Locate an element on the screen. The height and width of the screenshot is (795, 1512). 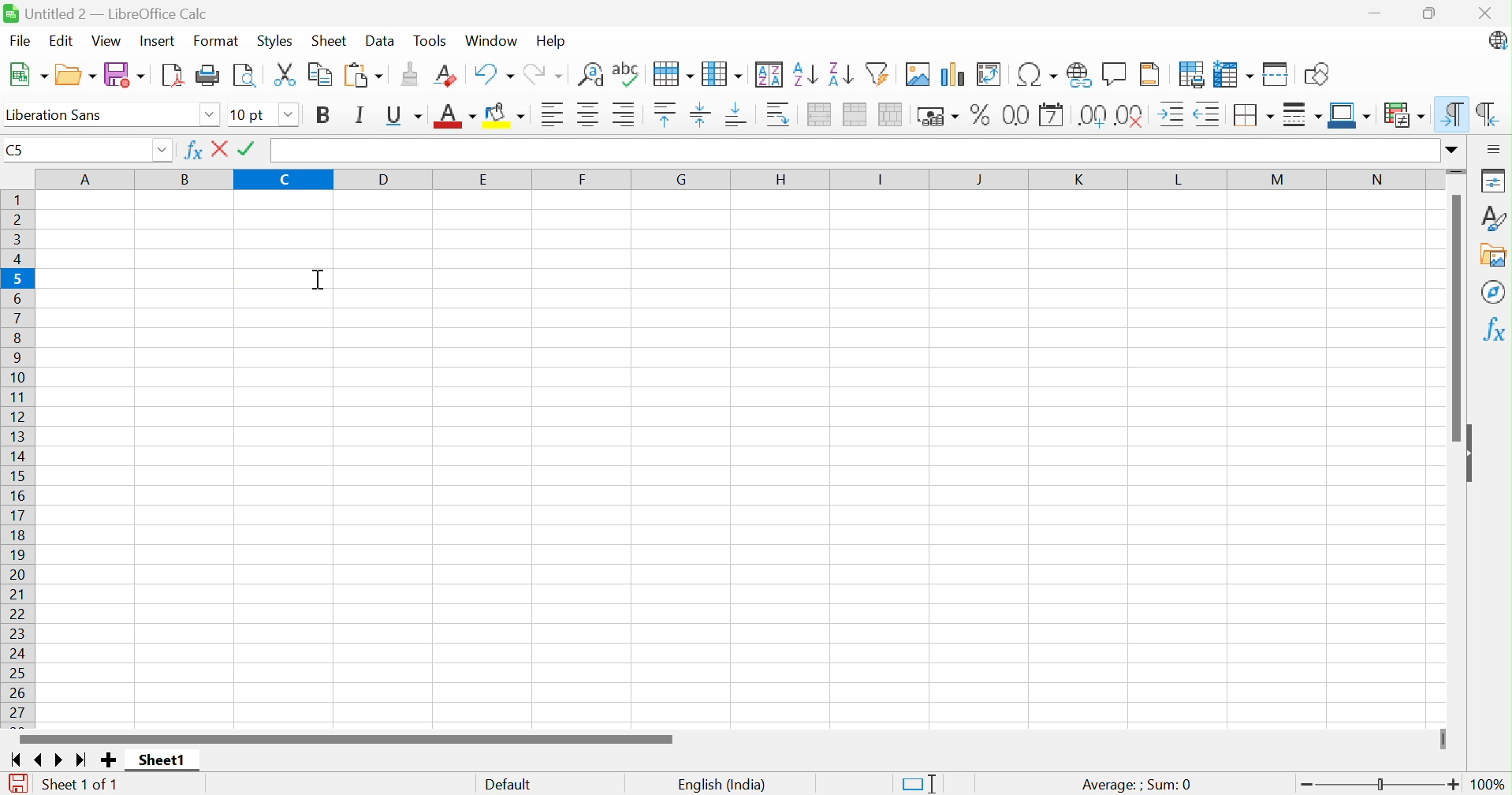
Add decimal place is located at coordinates (1092, 117).